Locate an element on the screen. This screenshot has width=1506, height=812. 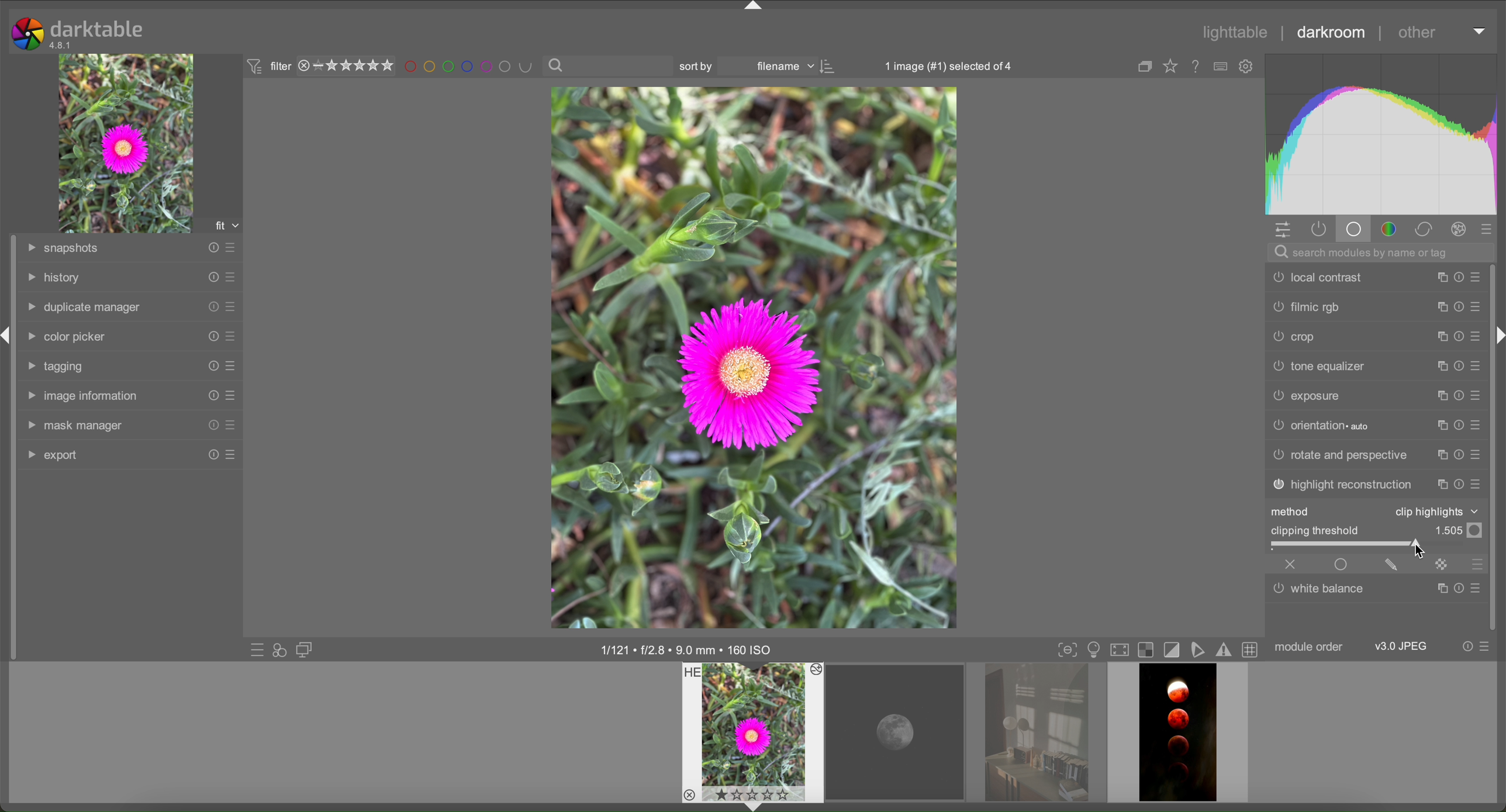
online help is located at coordinates (1197, 68).